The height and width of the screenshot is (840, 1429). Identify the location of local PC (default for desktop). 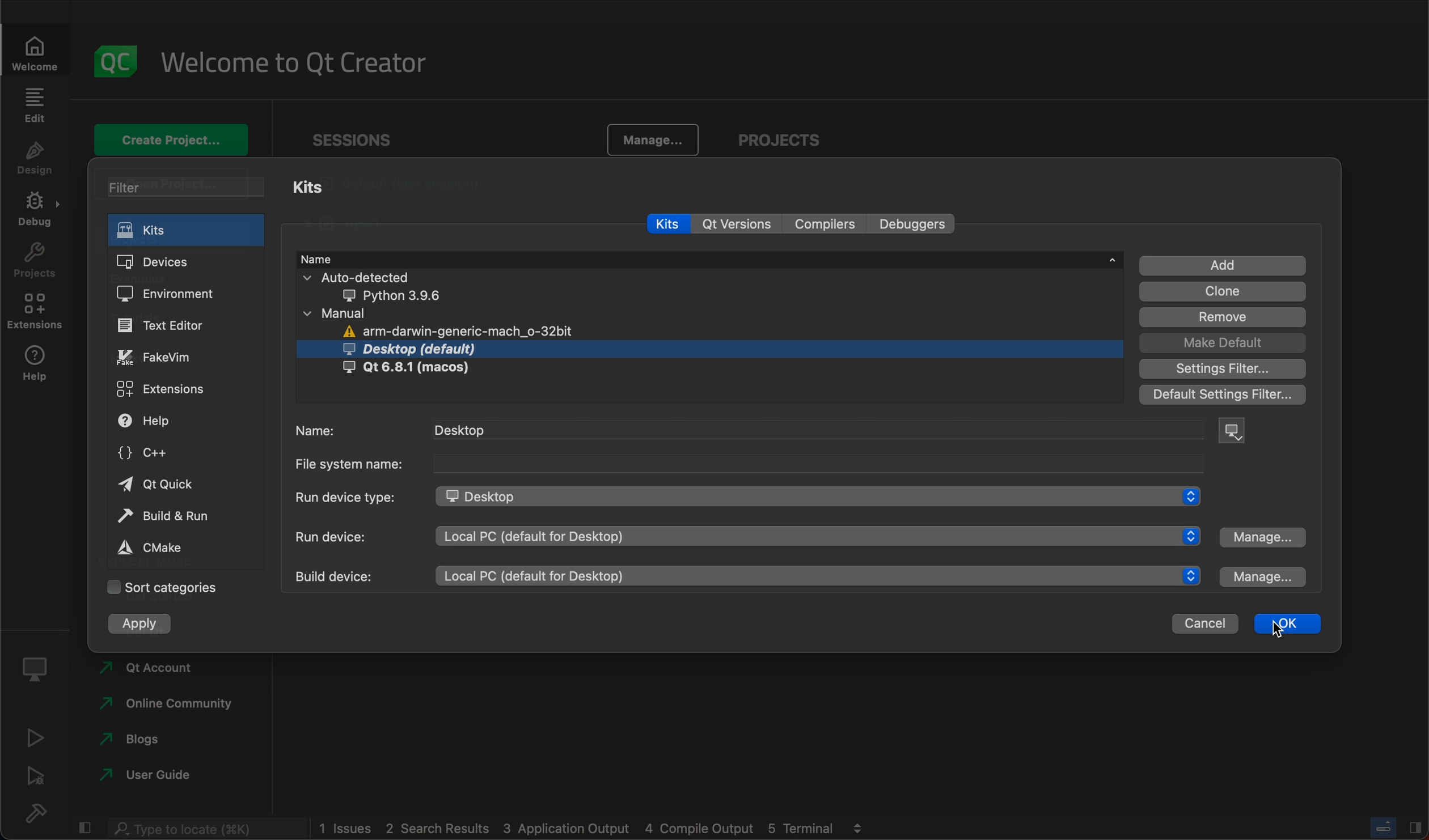
(813, 574).